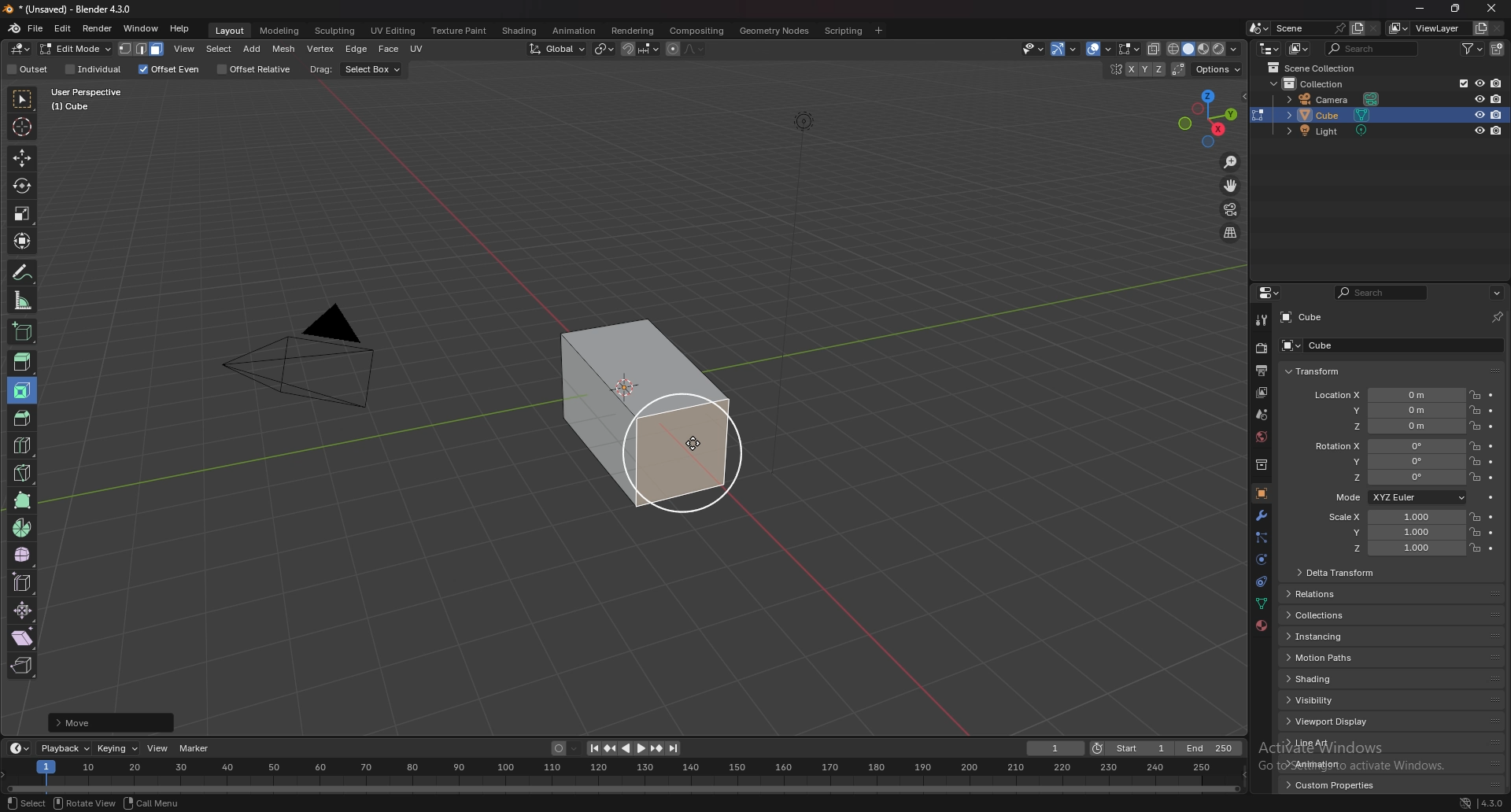 The width and height of the screenshot is (1511, 812). What do you see at coordinates (1313, 372) in the screenshot?
I see `transform` at bounding box center [1313, 372].